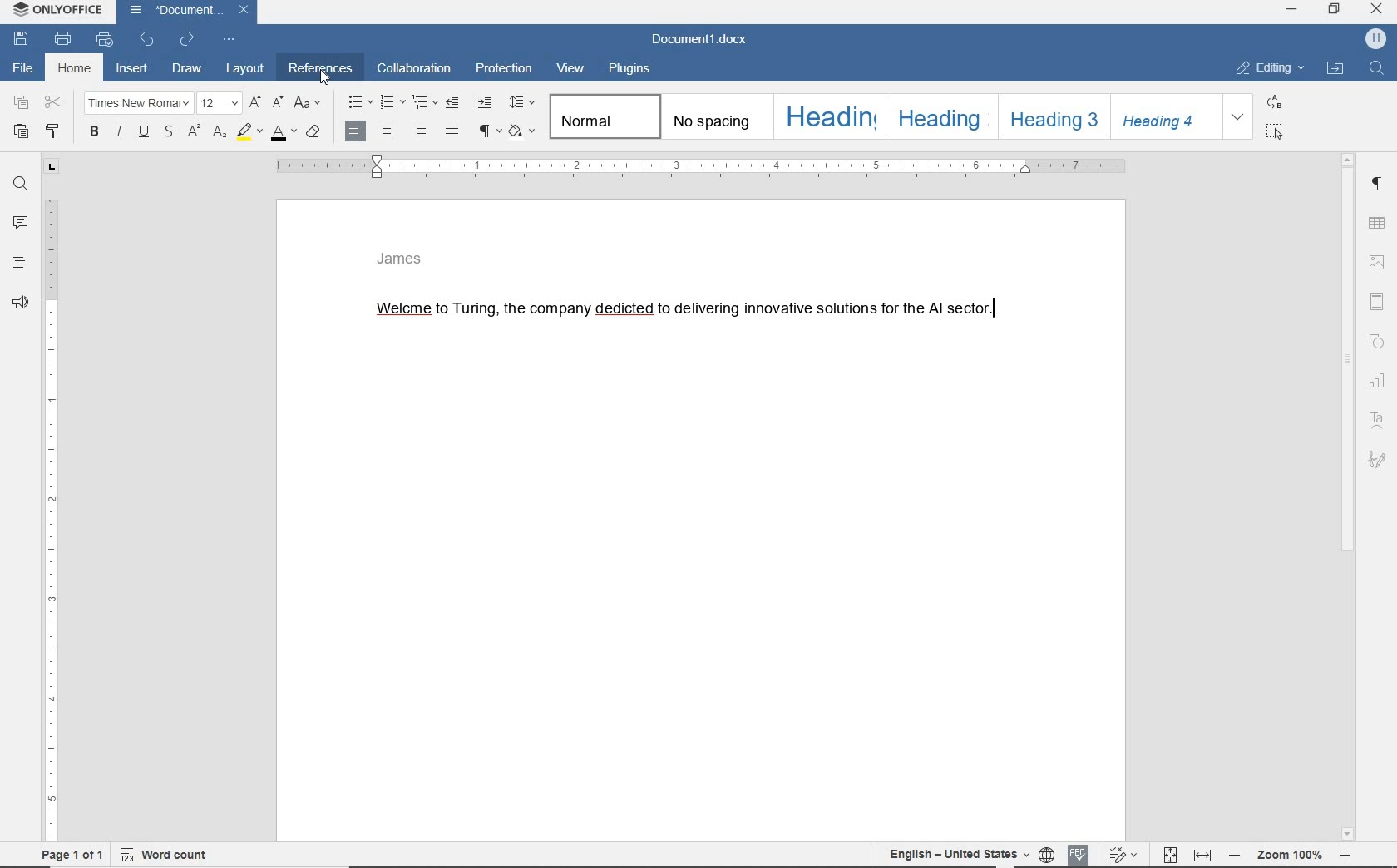  Describe the element at coordinates (454, 101) in the screenshot. I see `decrease indent` at that location.